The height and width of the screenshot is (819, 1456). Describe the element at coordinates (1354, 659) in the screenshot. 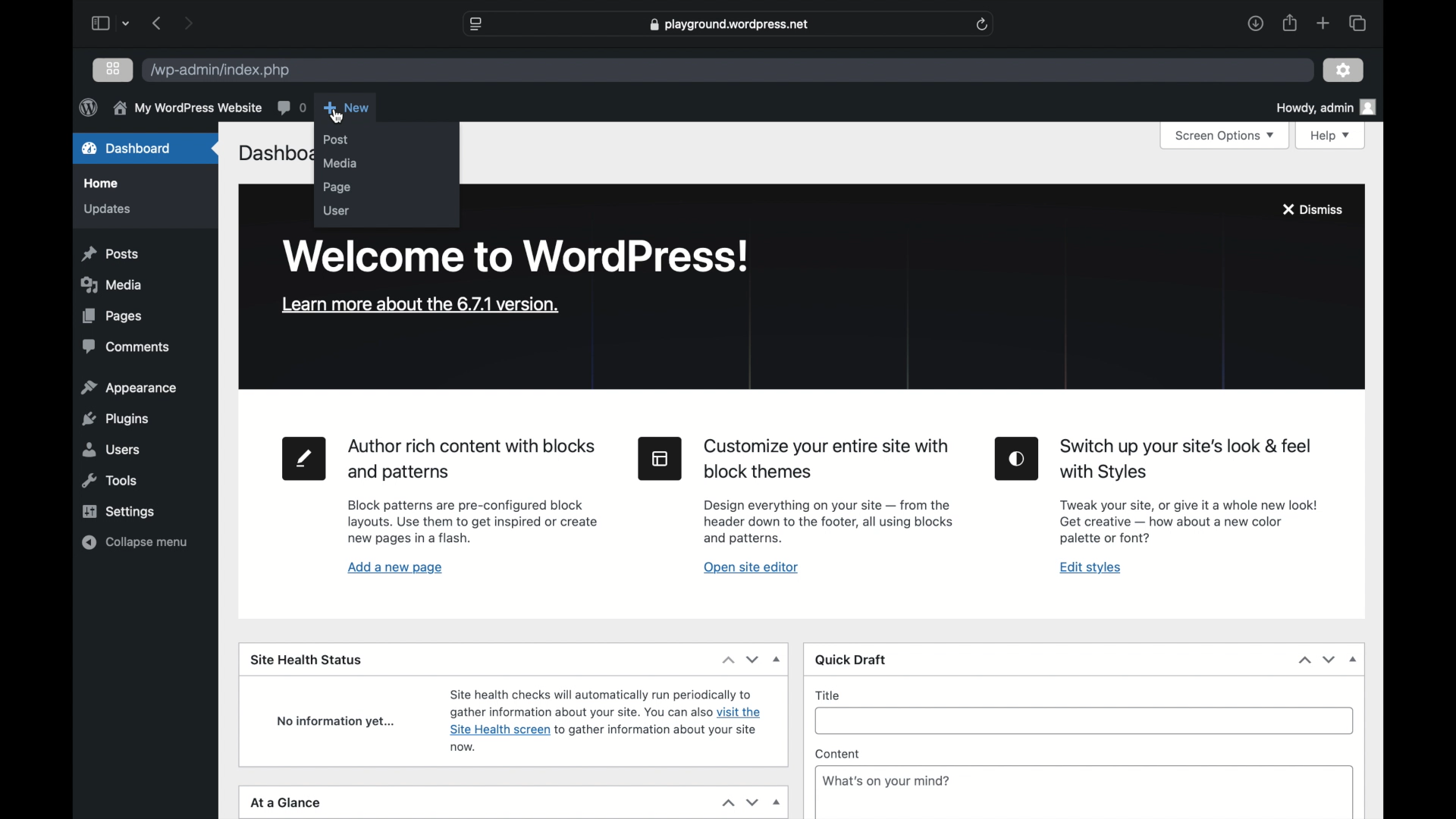

I see `dropdown` at that location.